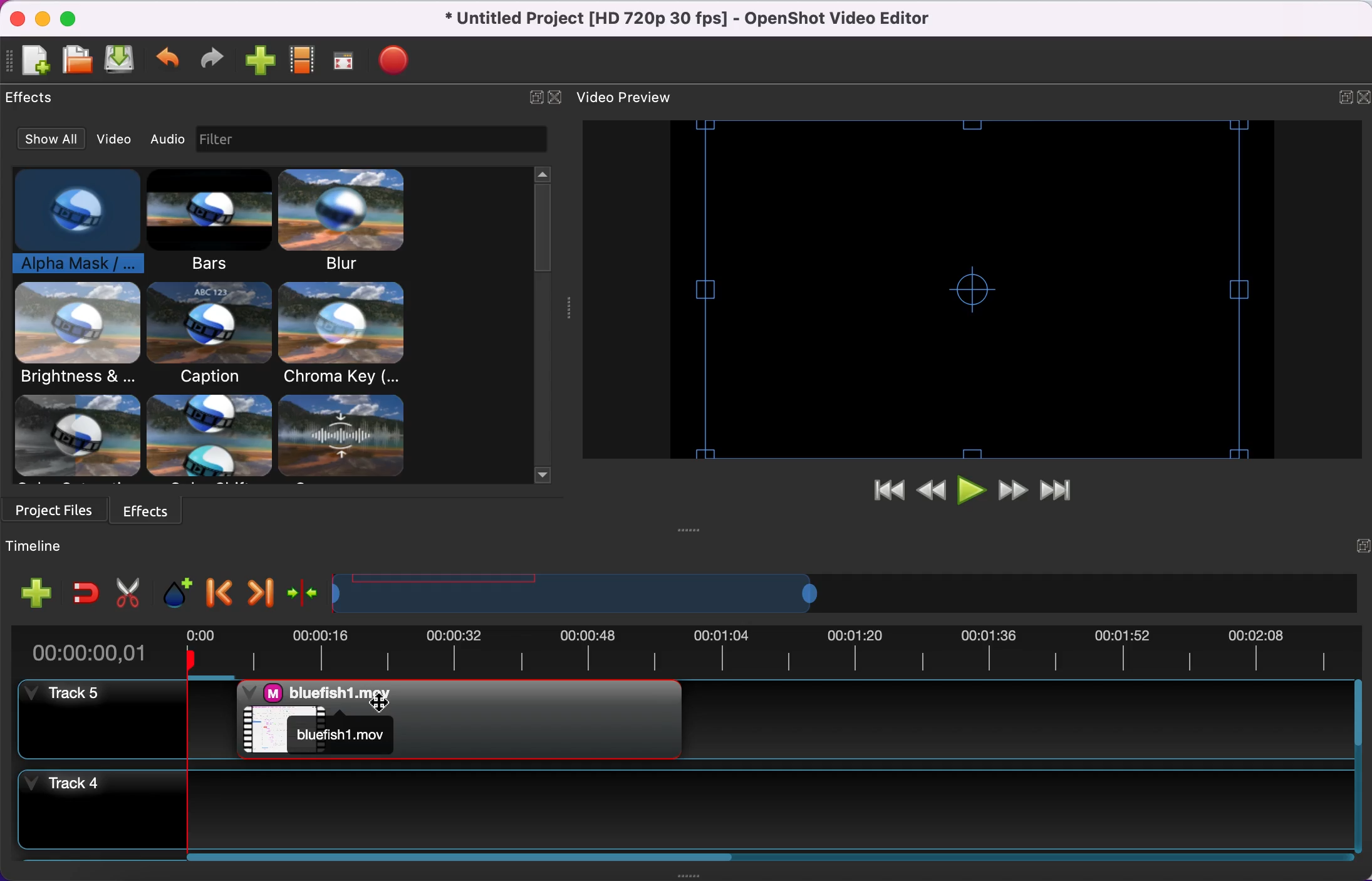 This screenshot has height=881, width=1372. Describe the element at coordinates (257, 592) in the screenshot. I see `next marker` at that location.